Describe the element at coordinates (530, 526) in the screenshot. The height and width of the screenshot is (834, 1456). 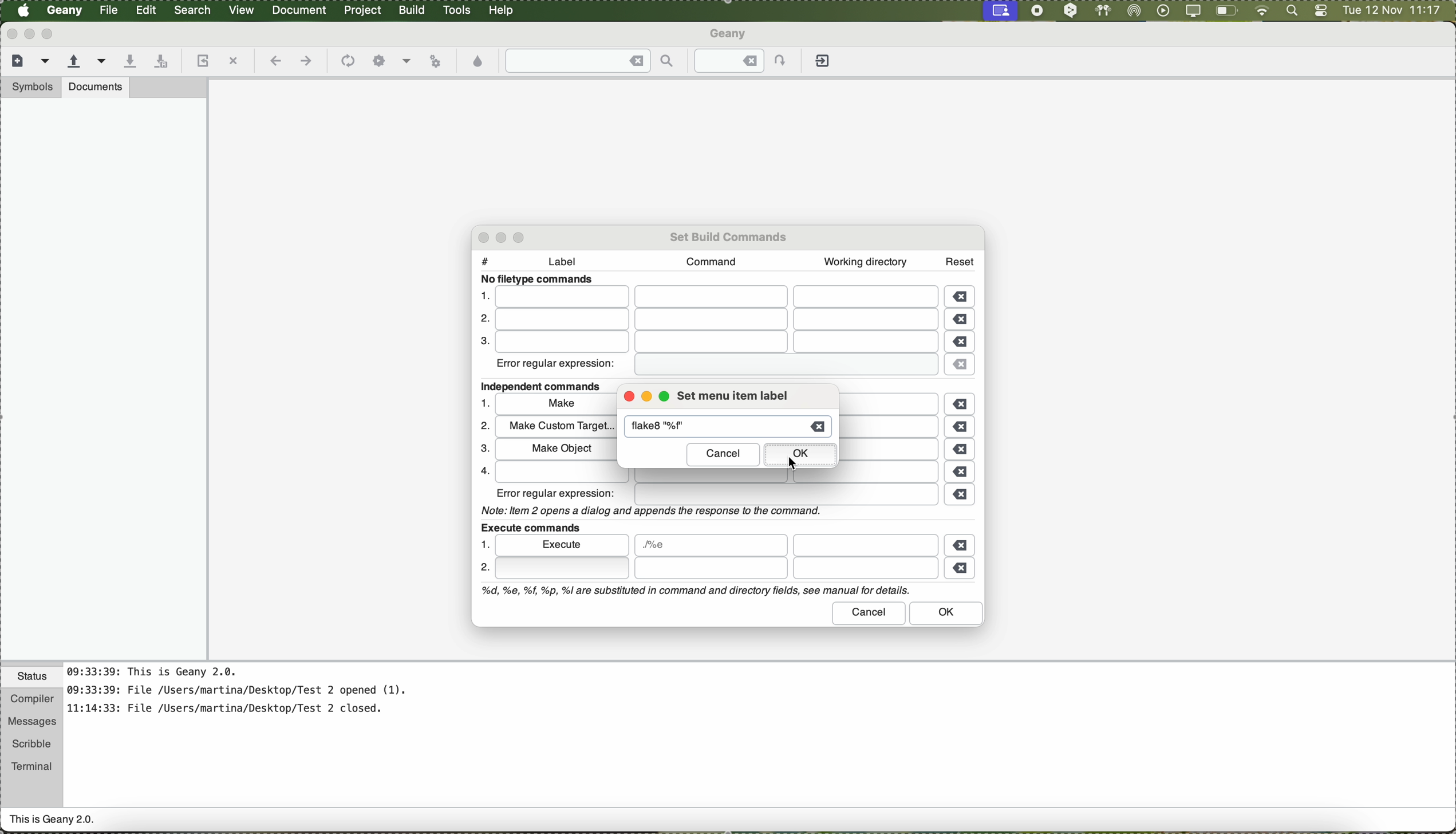
I see `execute commands` at that location.